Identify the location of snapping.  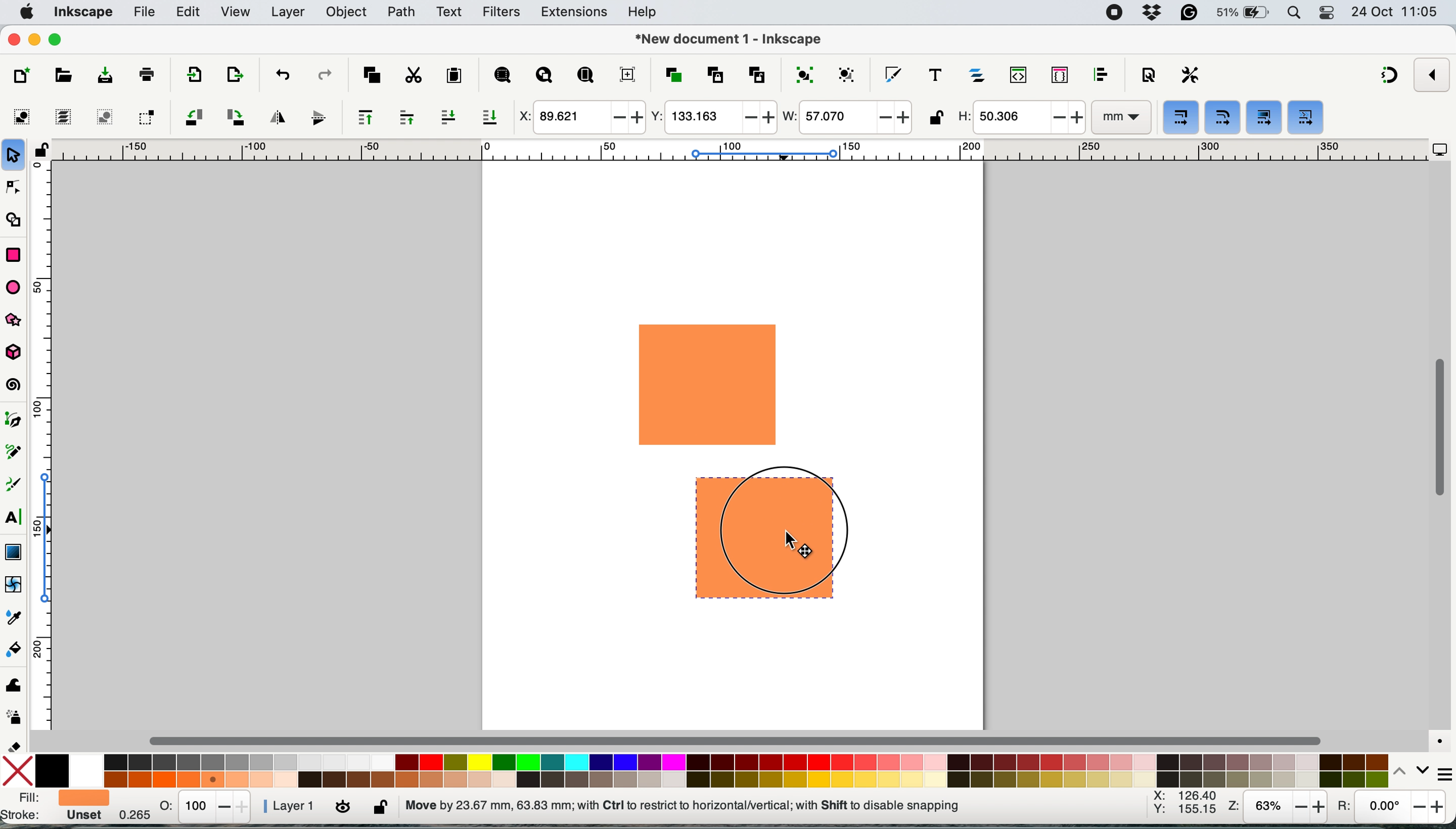
(1391, 76).